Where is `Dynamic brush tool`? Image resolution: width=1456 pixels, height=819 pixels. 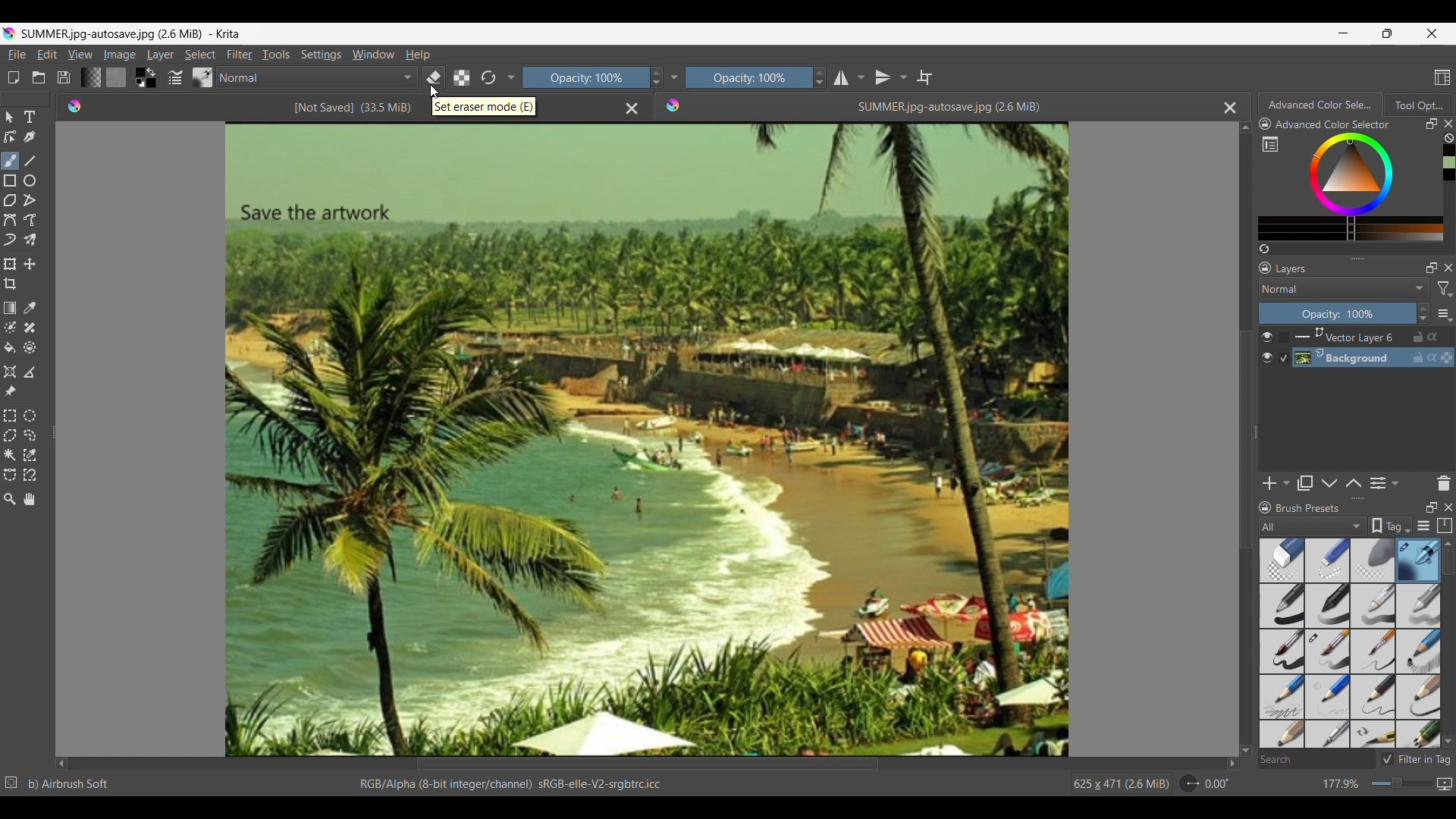
Dynamic brush tool is located at coordinates (10, 240).